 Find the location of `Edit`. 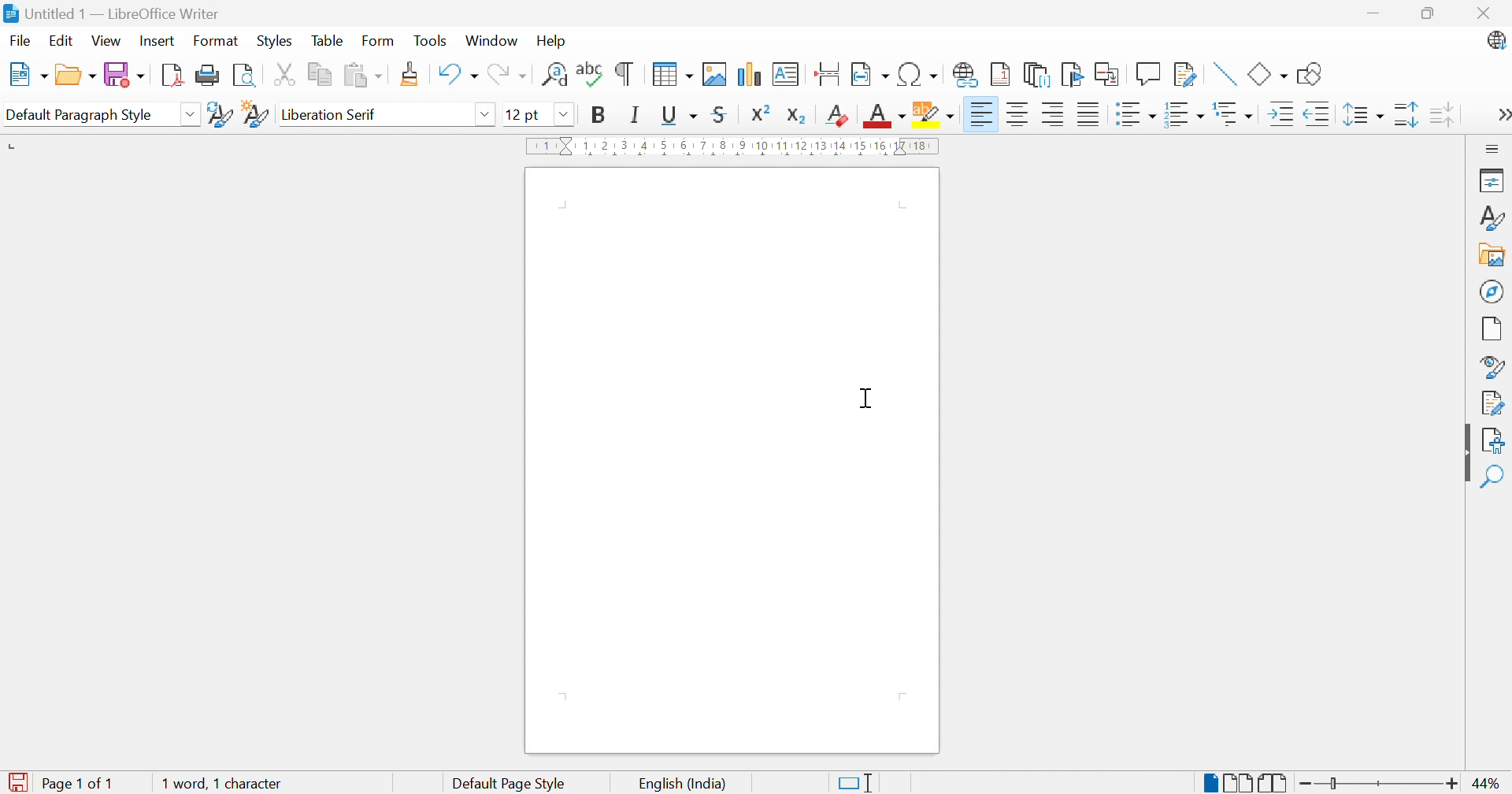

Edit is located at coordinates (64, 43).